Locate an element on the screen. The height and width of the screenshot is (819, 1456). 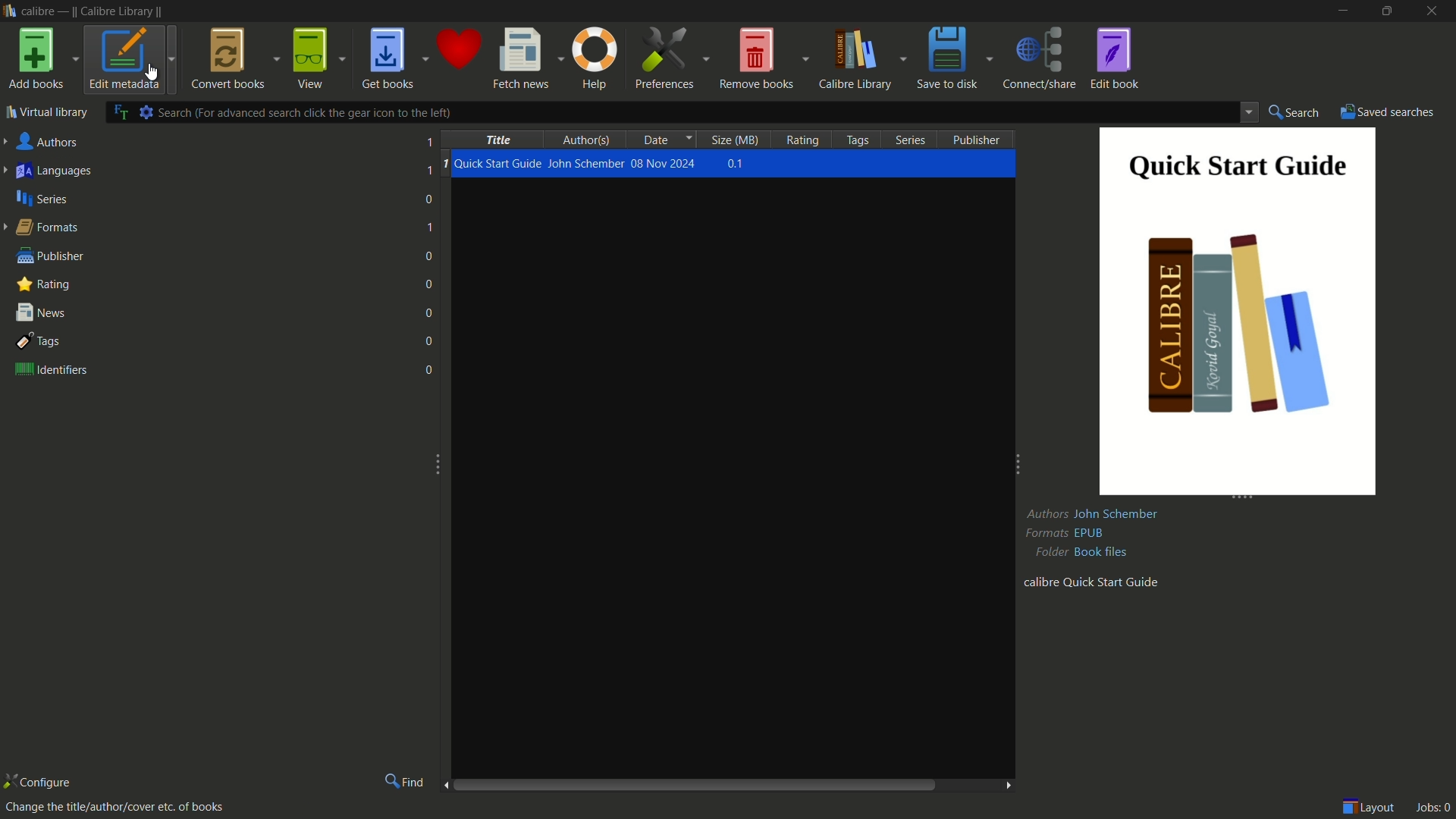
expand is located at coordinates (1024, 462).